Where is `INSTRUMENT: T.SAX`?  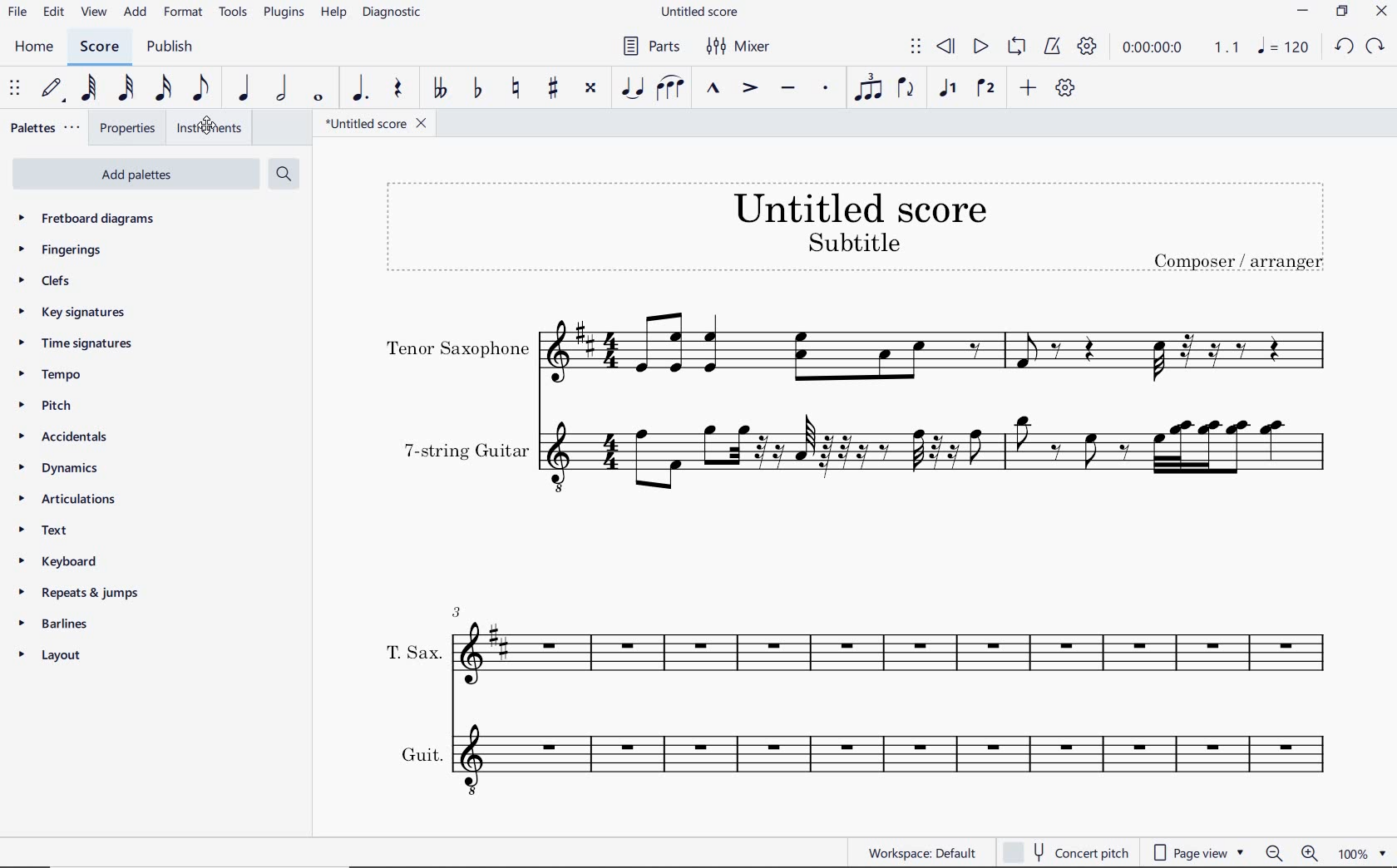
INSTRUMENT: T.SAX is located at coordinates (853, 640).